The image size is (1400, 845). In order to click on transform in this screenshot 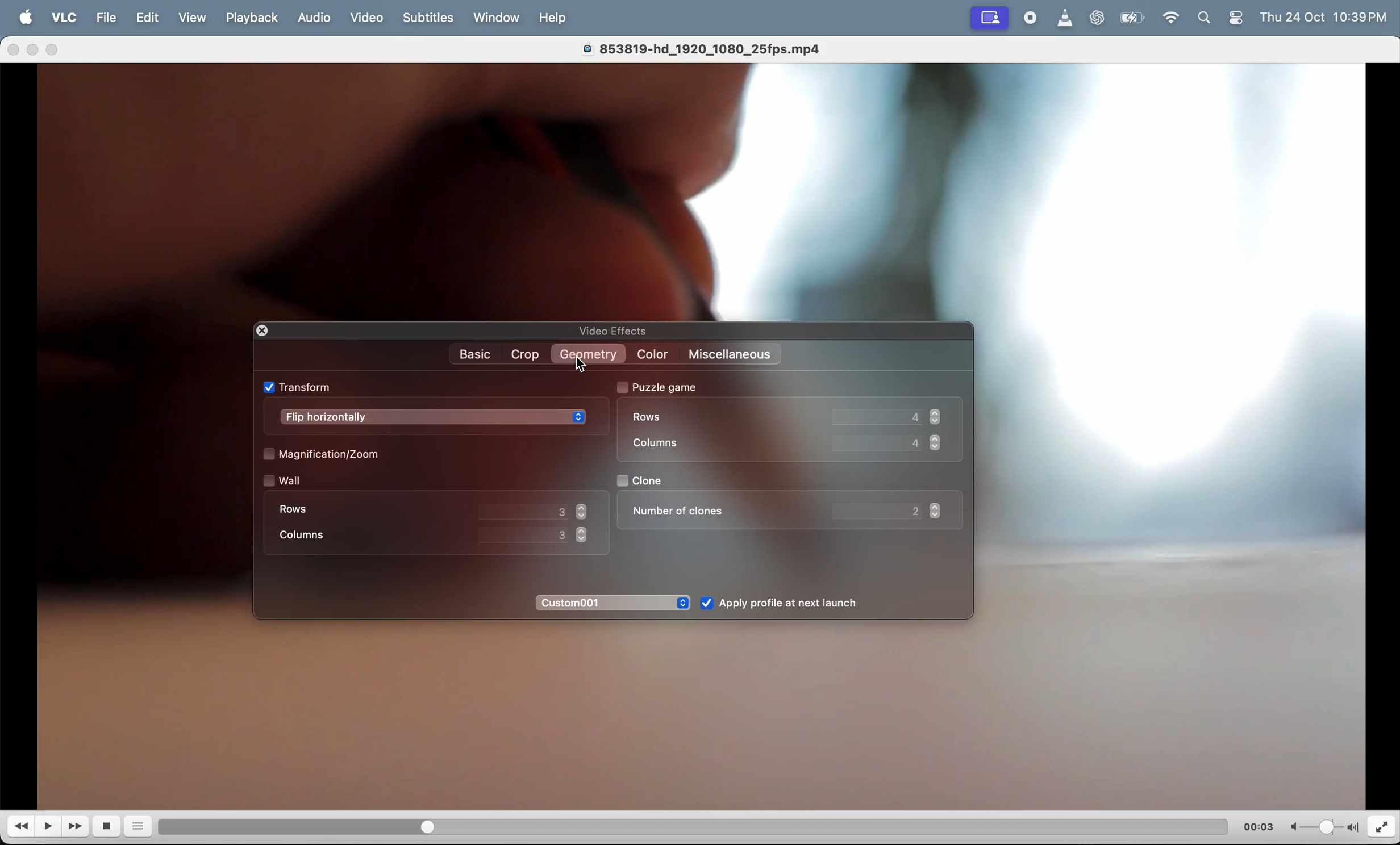, I will do `click(306, 387)`.